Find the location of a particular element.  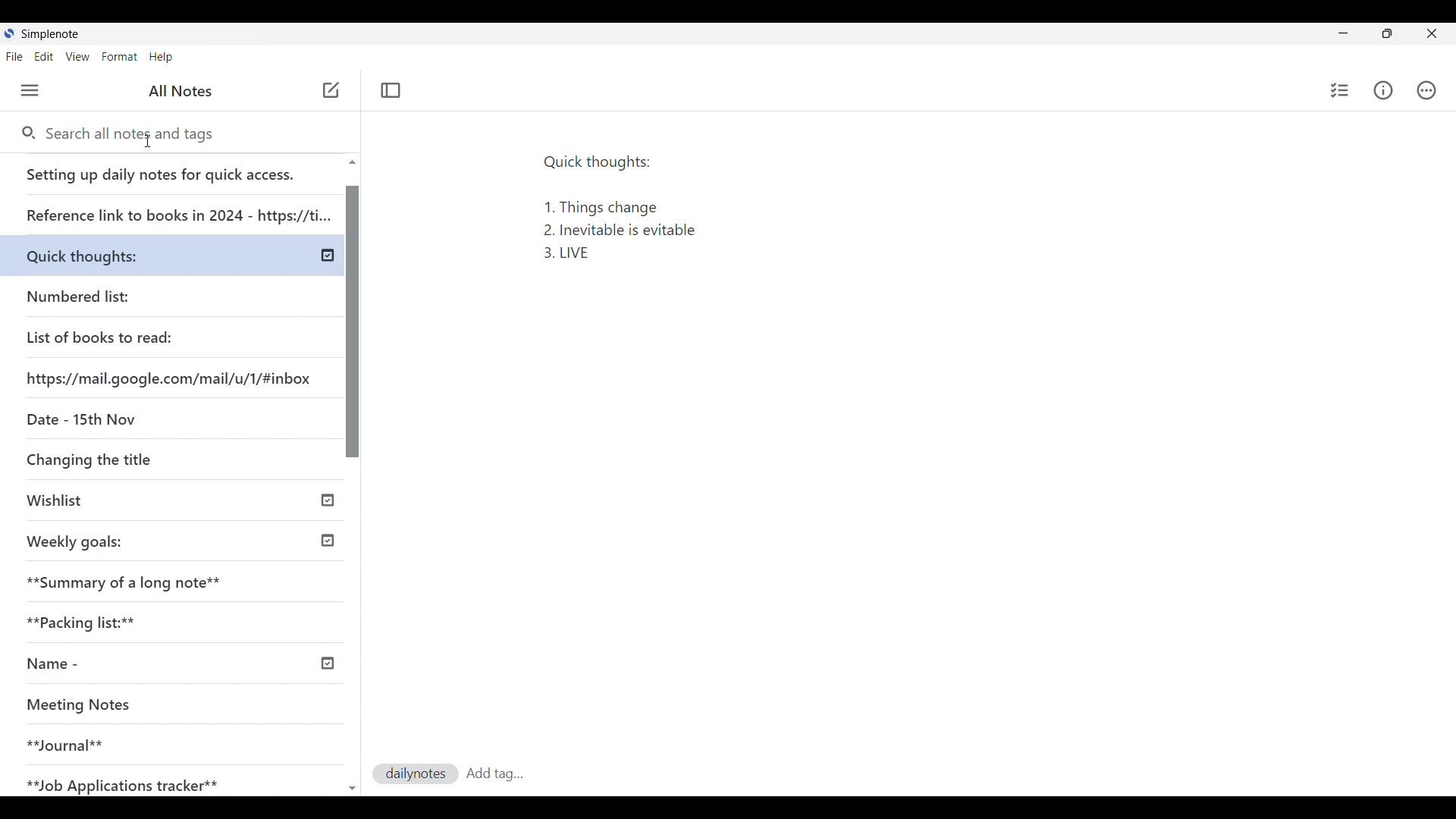

dailynotes is located at coordinates (416, 773).